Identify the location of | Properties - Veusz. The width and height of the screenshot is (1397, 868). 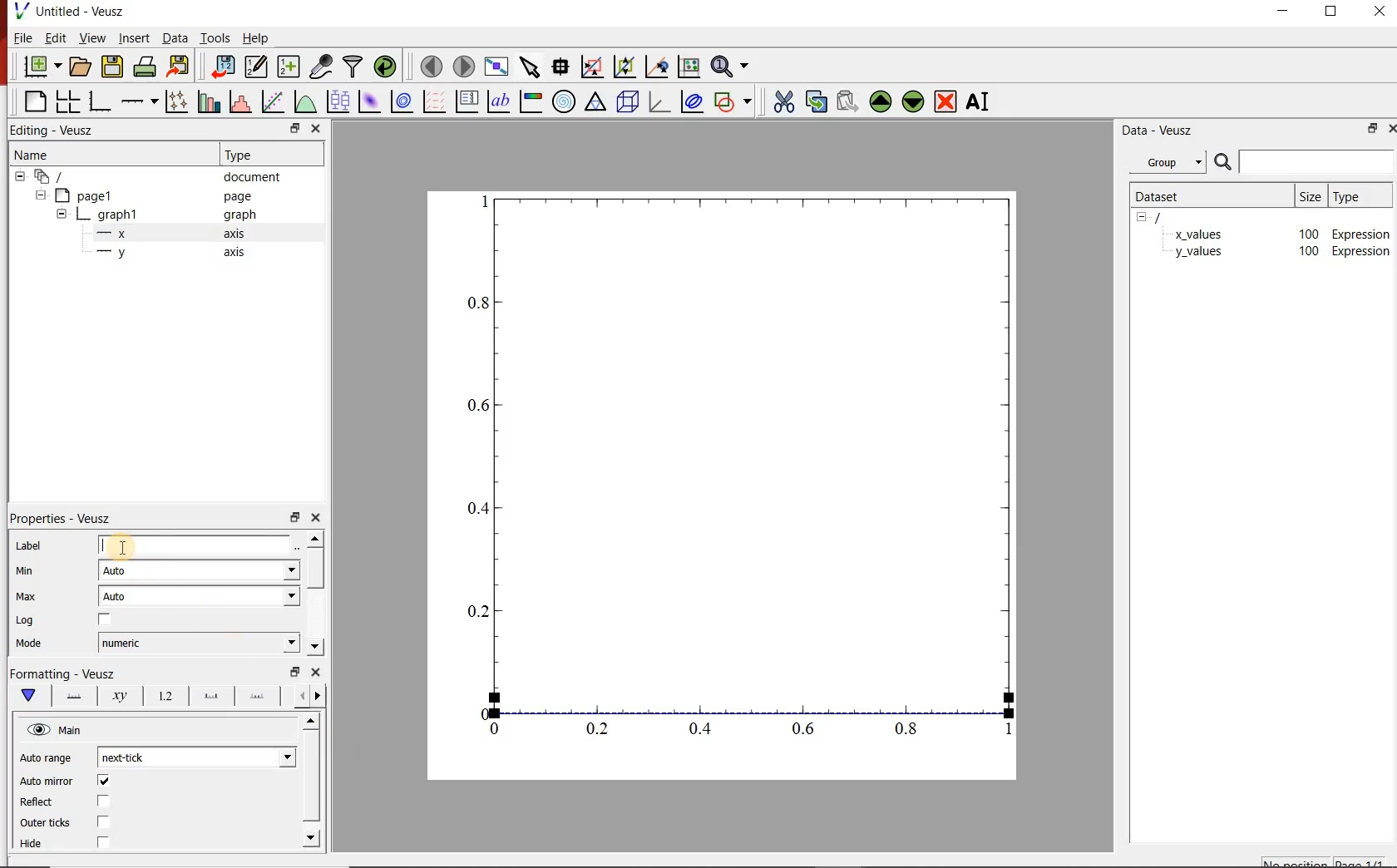
(63, 515).